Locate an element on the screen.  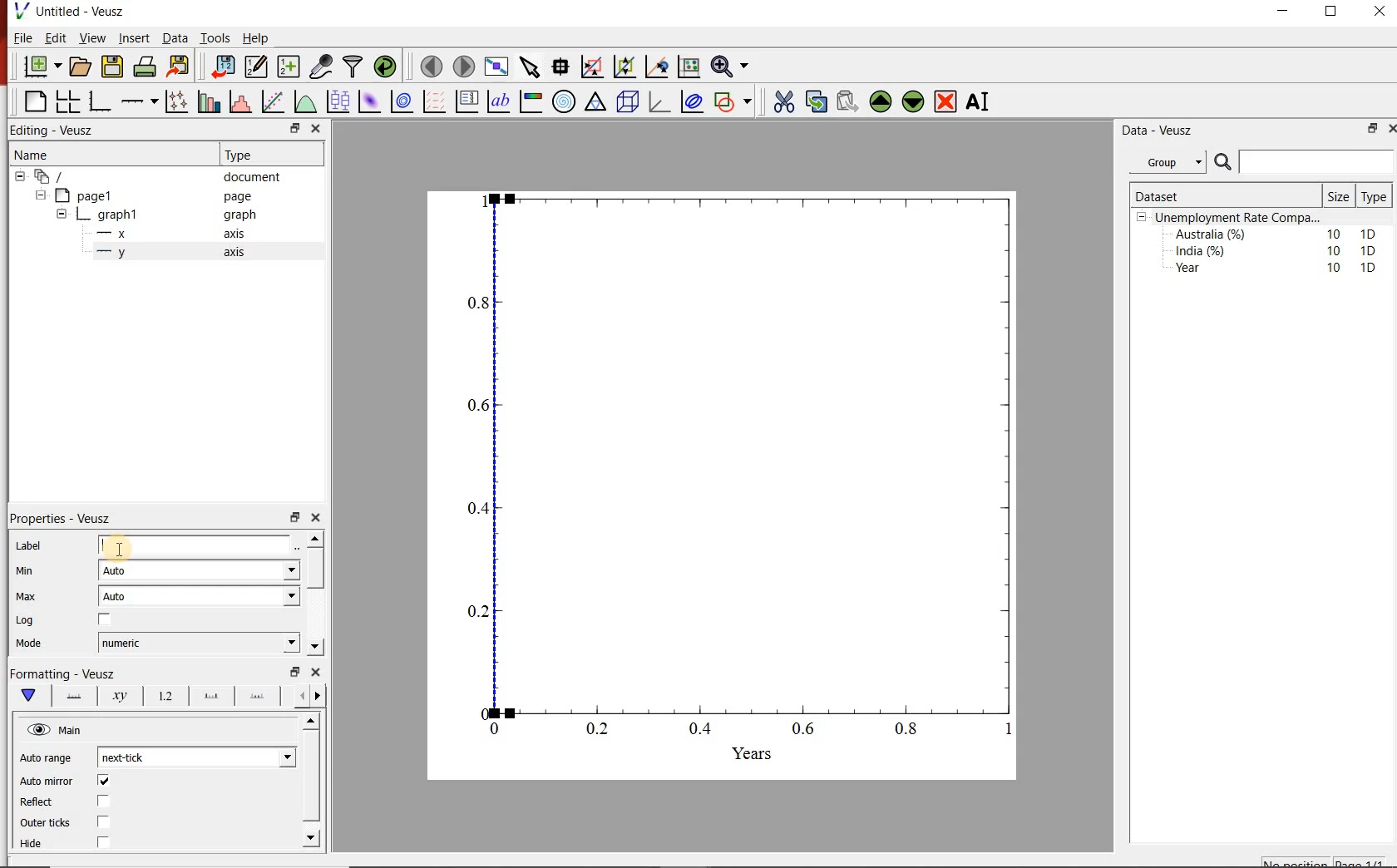
polar graph is located at coordinates (565, 102).